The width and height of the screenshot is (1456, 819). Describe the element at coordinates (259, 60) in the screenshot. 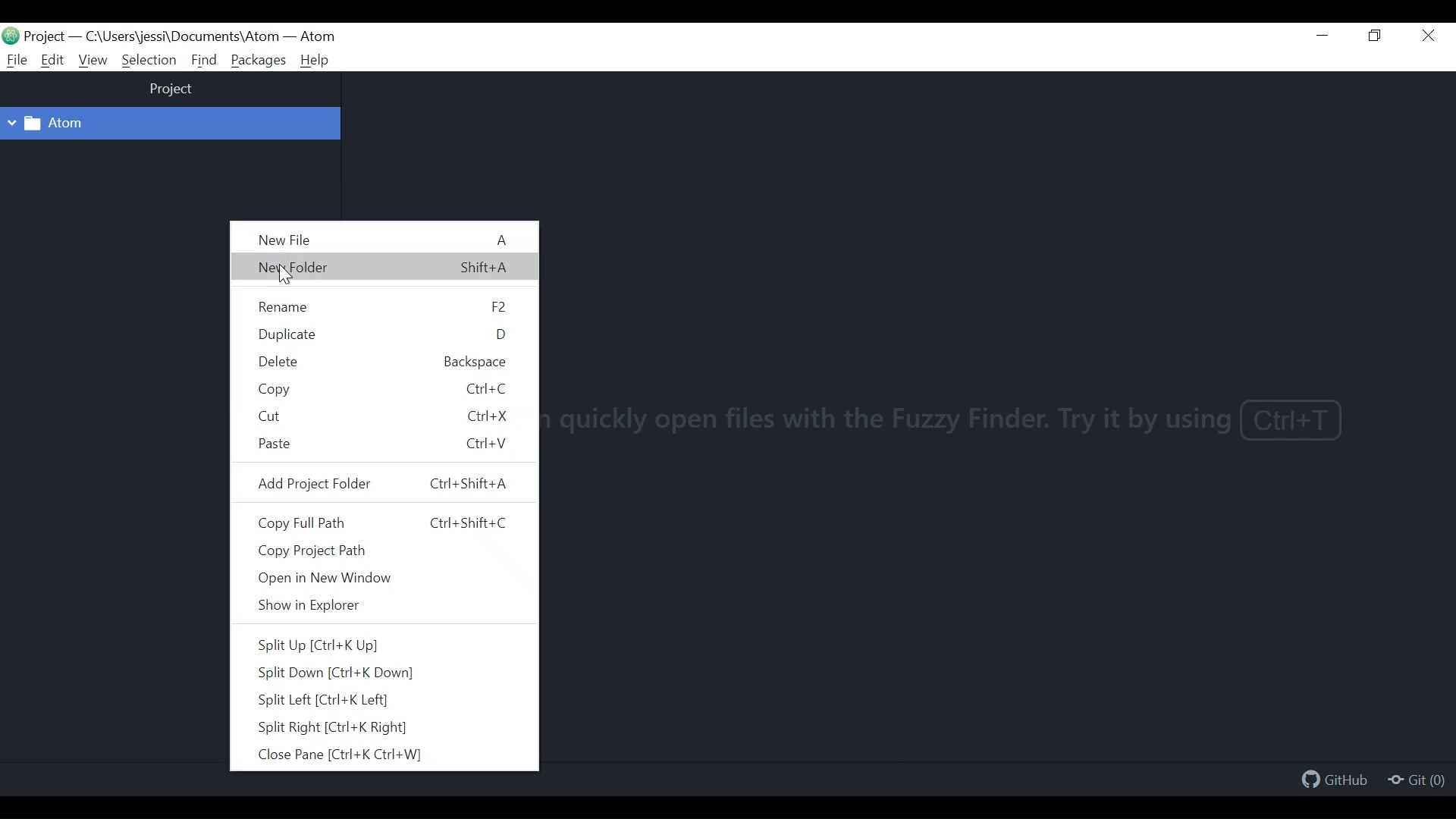

I see `Packages` at that location.